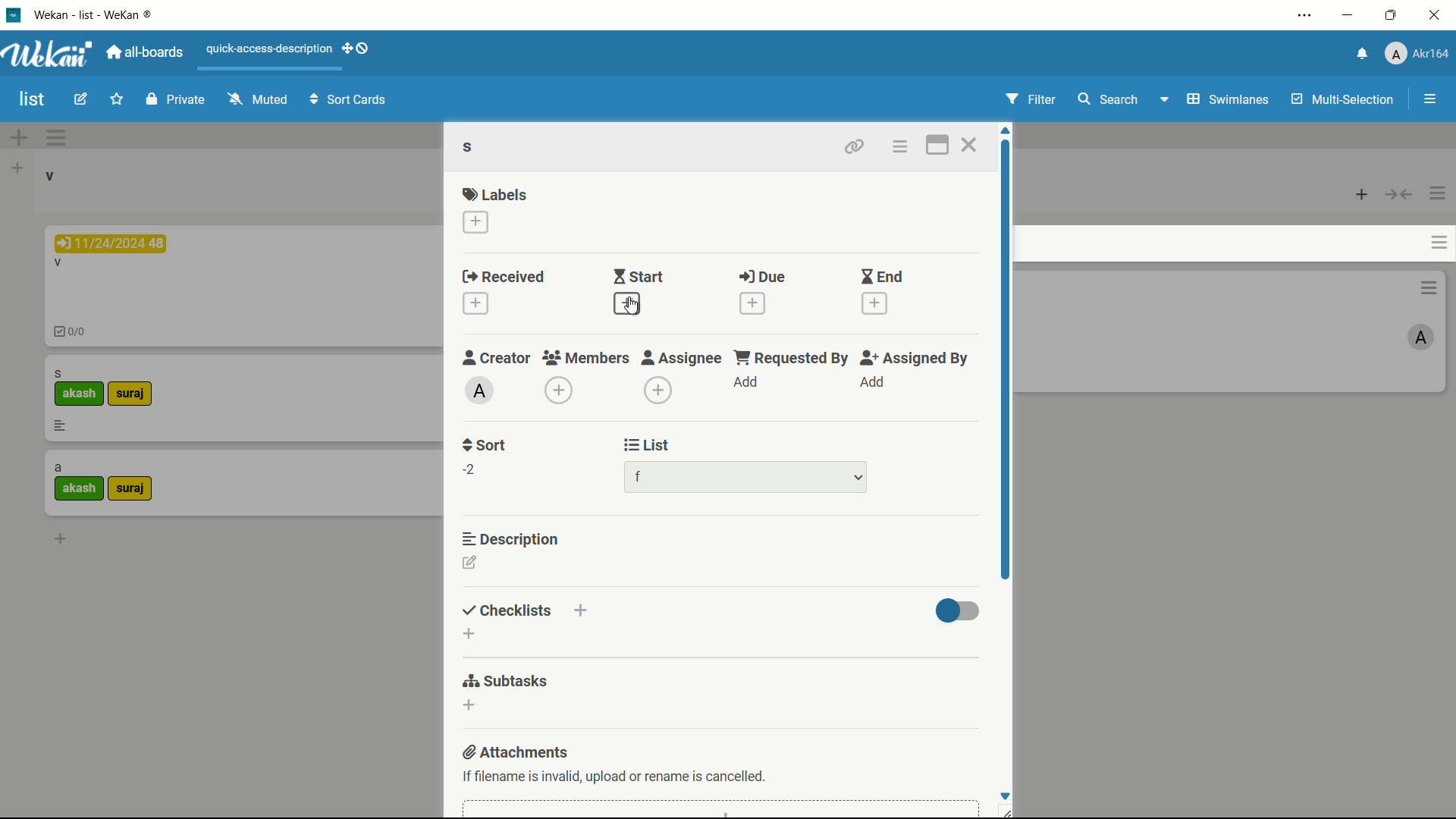  What do you see at coordinates (855, 146) in the screenshot?
I see `copy link to clipboard` at bounding box center [855, 146].